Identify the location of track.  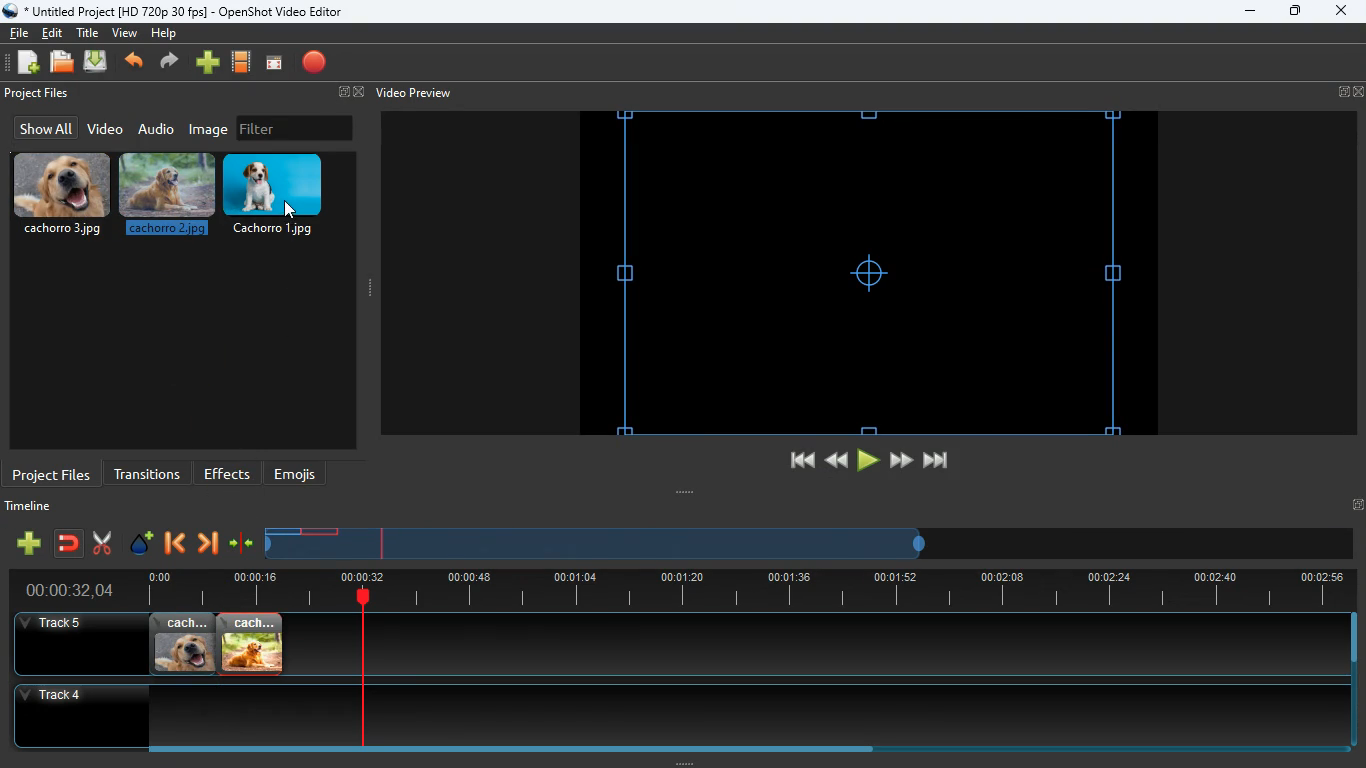
(663, 715).